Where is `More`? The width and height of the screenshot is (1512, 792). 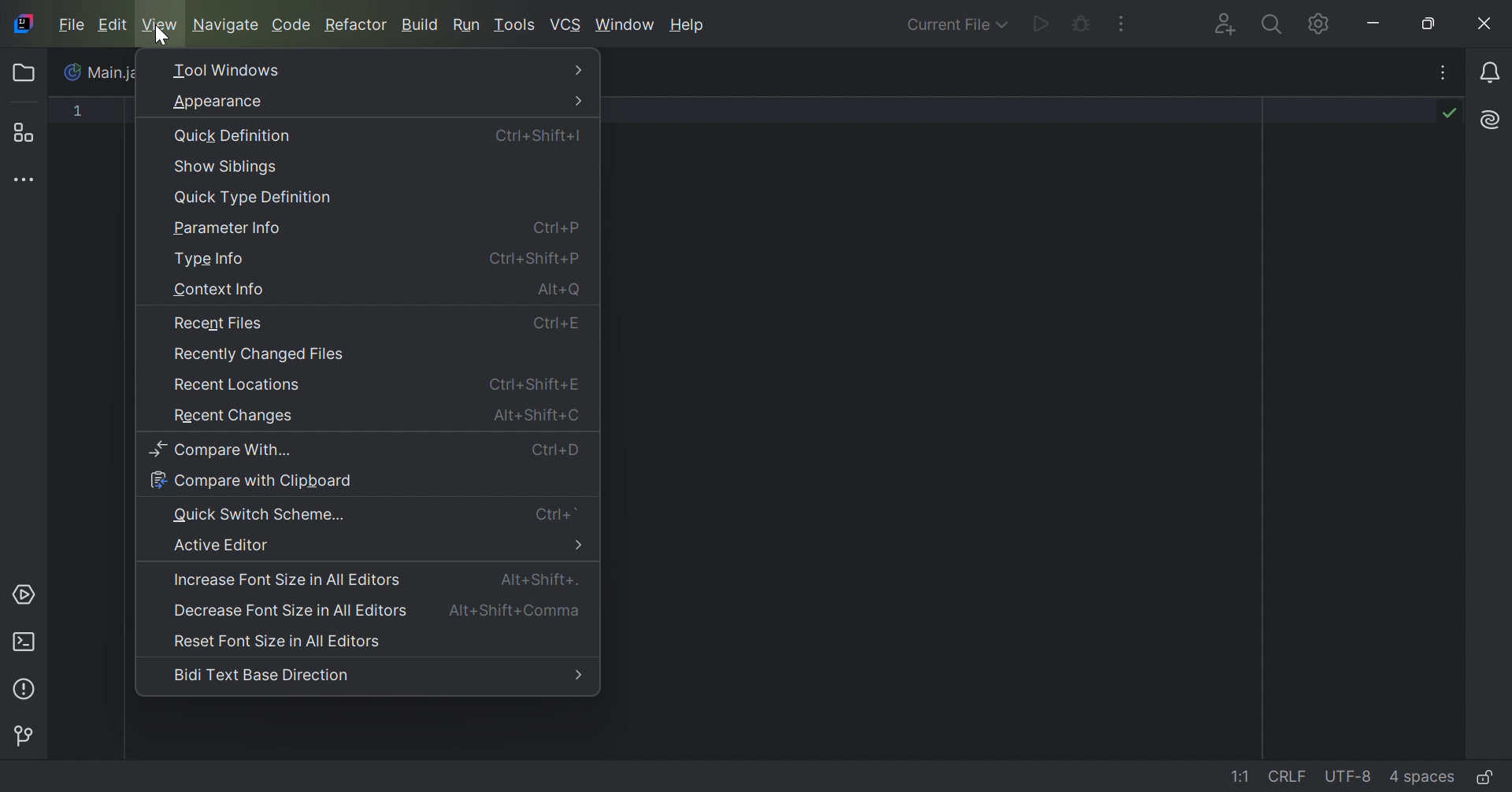
More is located at coordinates (580, 101).